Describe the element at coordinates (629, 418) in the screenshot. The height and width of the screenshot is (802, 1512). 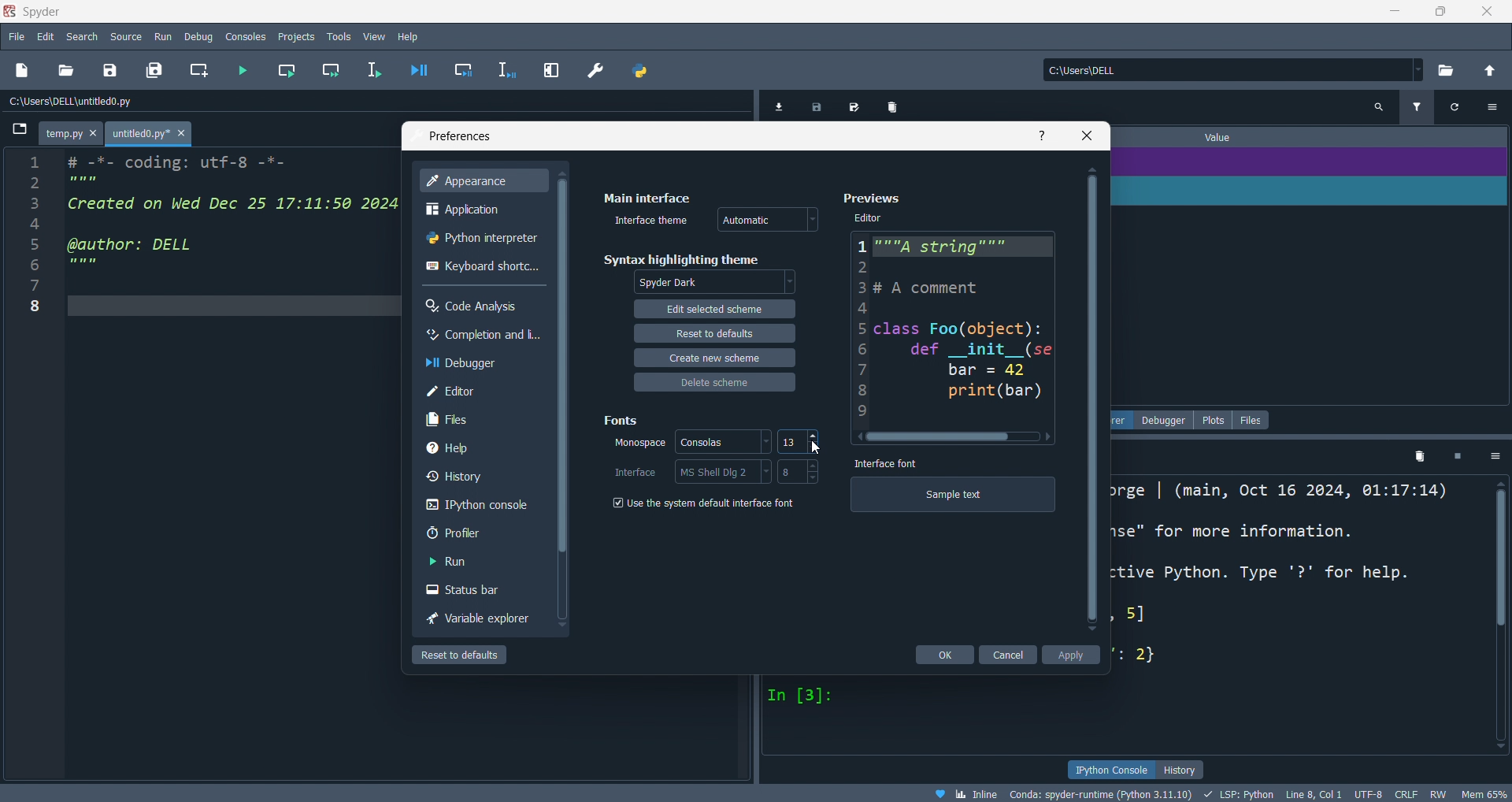
I see `Fonts` at that location.